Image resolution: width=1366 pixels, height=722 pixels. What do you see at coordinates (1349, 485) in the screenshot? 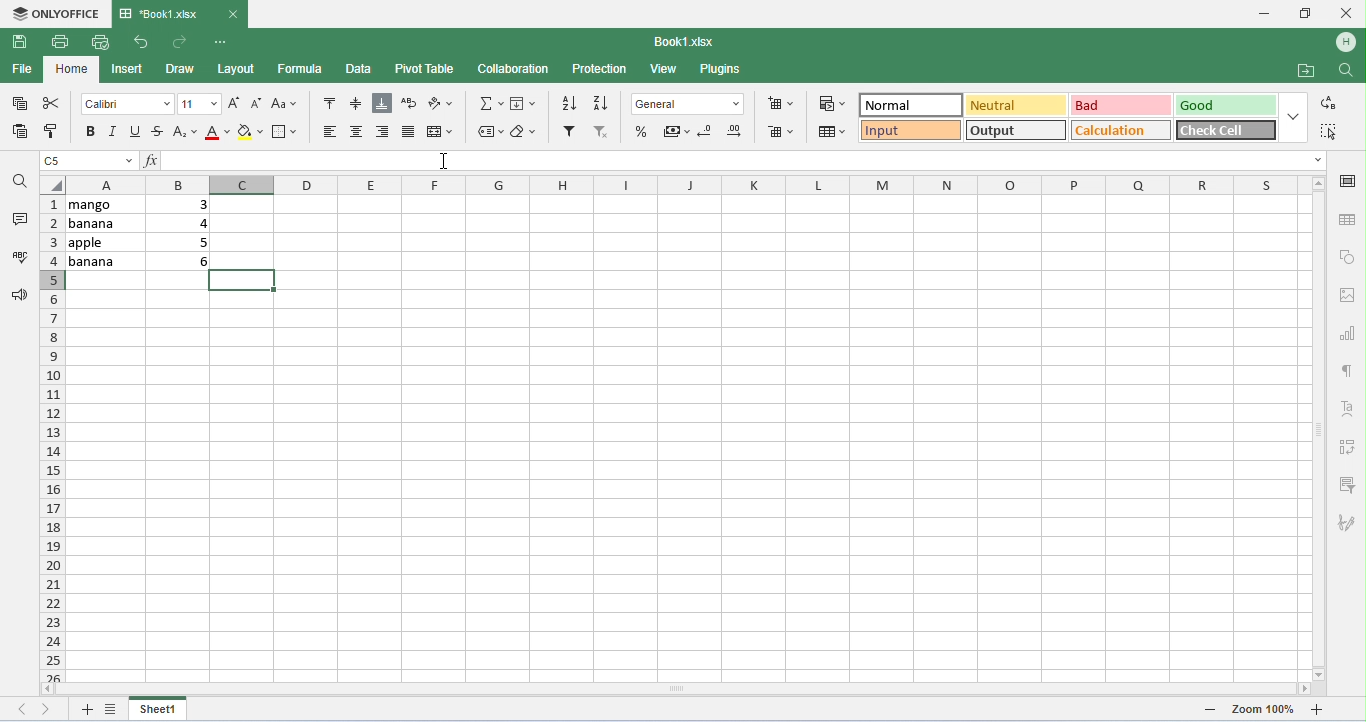
I see `slicer` at bounding box center [1349, 485].